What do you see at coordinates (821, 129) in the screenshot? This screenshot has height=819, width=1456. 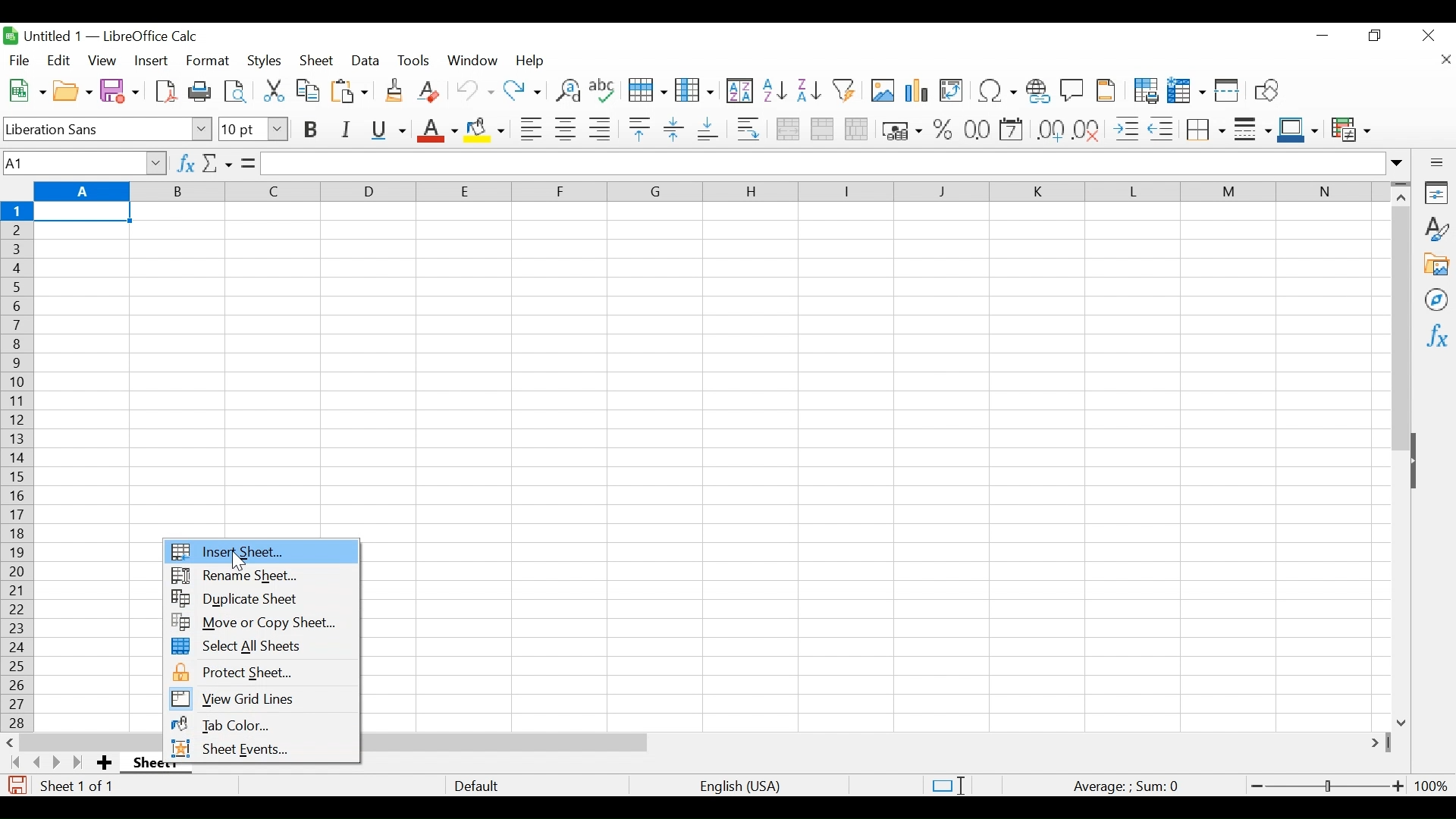 I see `Merge cells` at bounding box center [821, 129].